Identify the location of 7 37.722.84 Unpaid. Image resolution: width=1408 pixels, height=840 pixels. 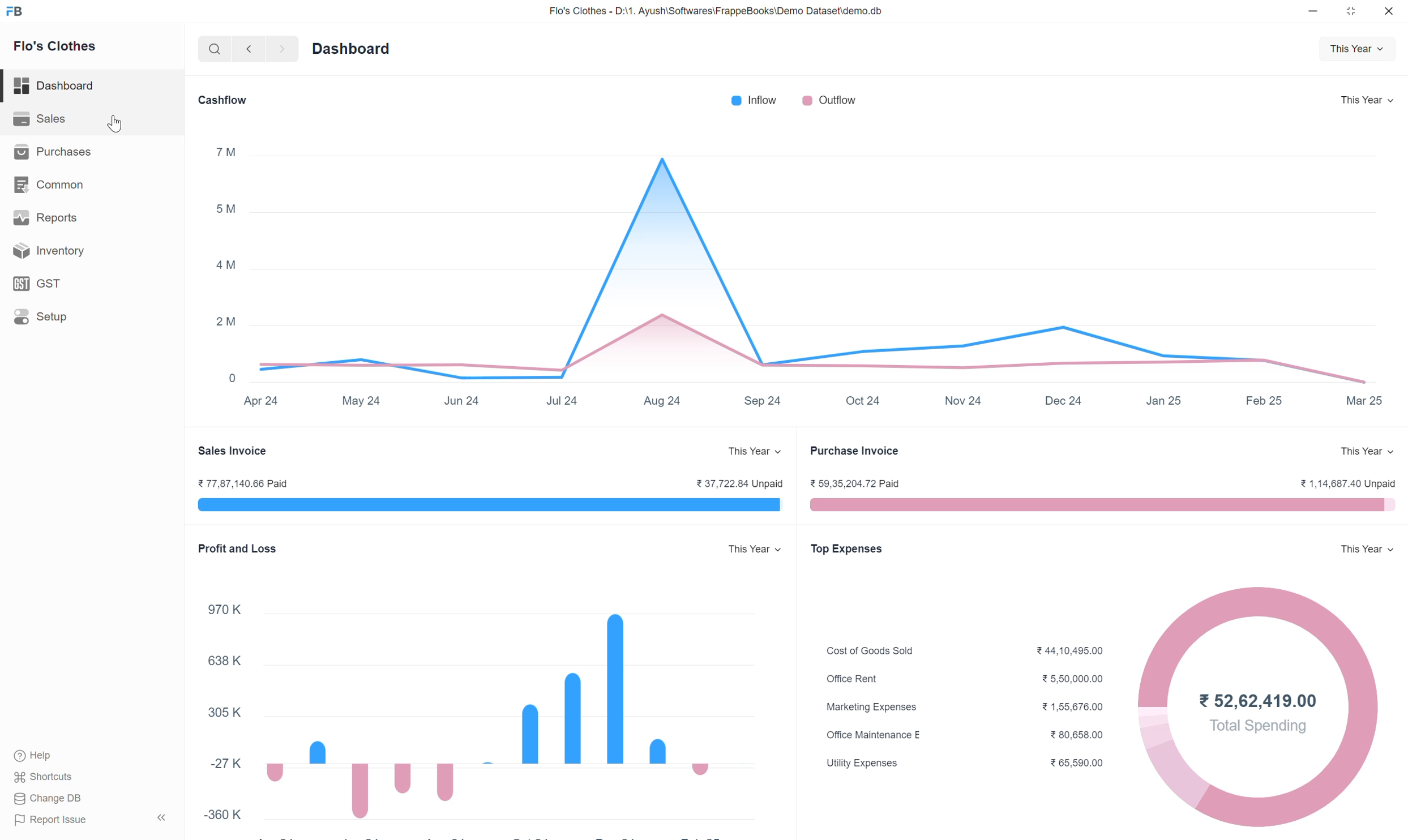
(741, 483).